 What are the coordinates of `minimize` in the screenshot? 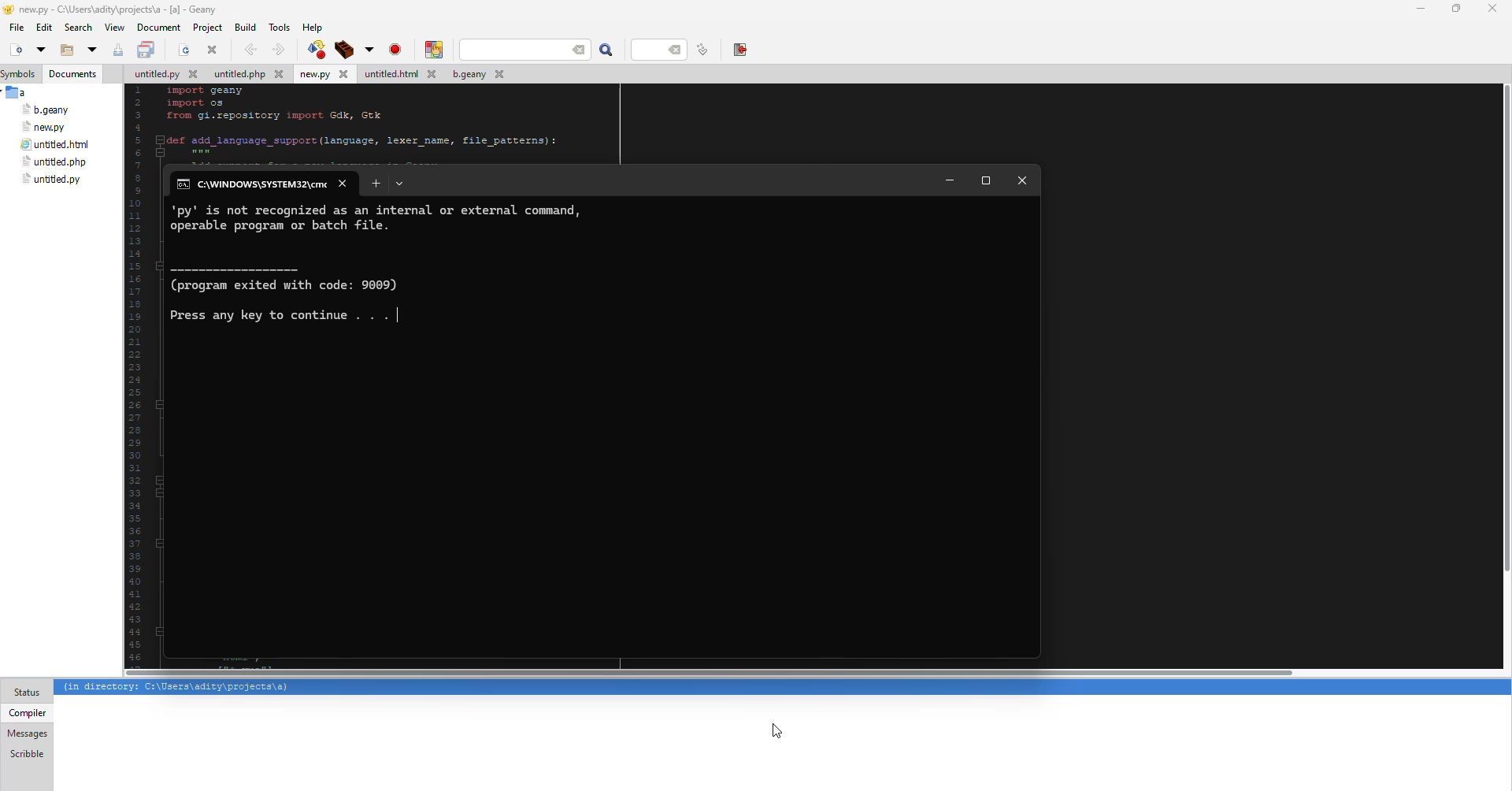 It's located at (951, 180).